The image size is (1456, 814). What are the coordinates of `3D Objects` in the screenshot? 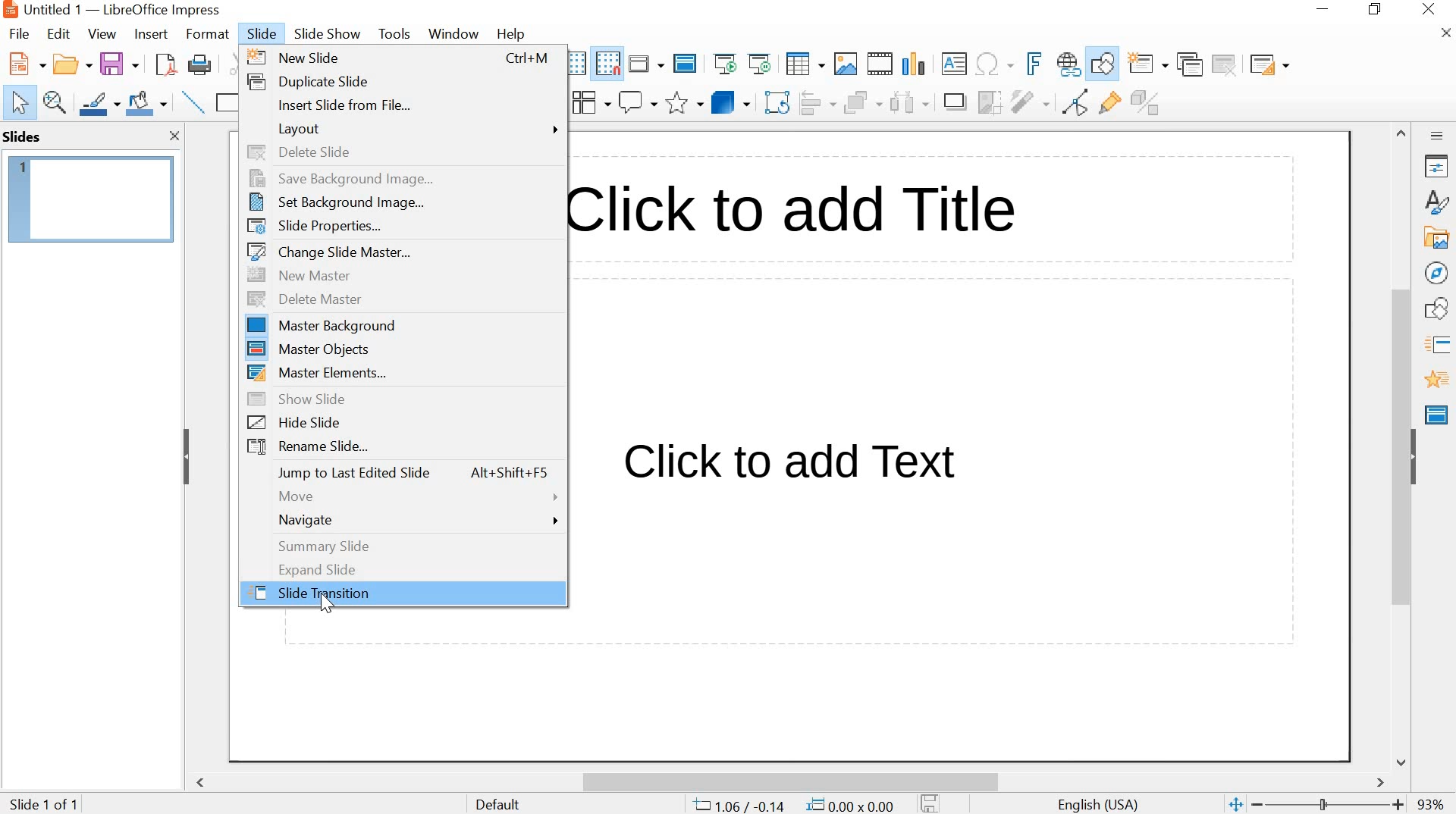 It's located at (733, 102).